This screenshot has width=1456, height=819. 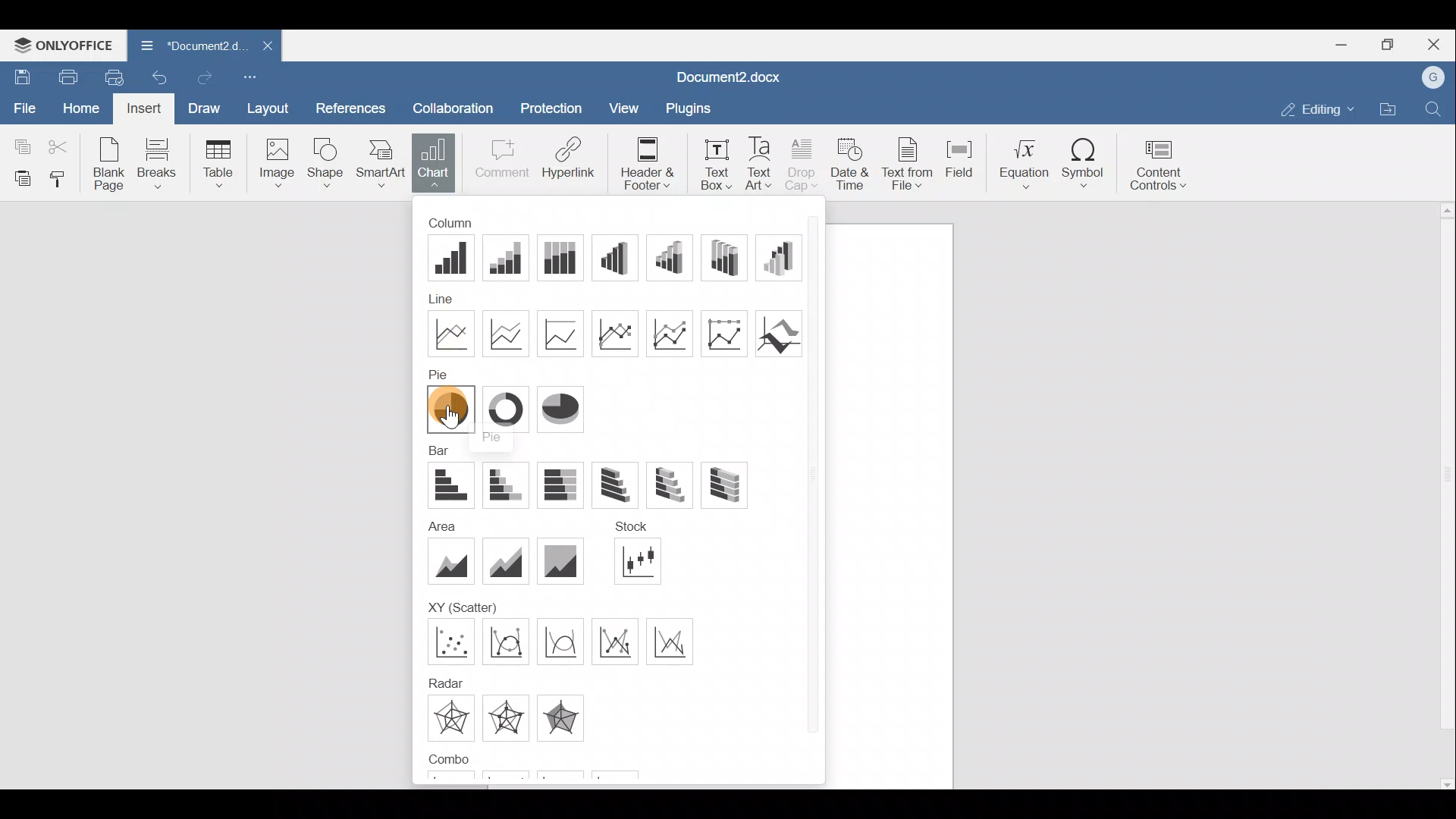 What do you see at coordinates (560, 716) in the screenshot?
I see `Clustered column-line` at bounding box center [560, 716].